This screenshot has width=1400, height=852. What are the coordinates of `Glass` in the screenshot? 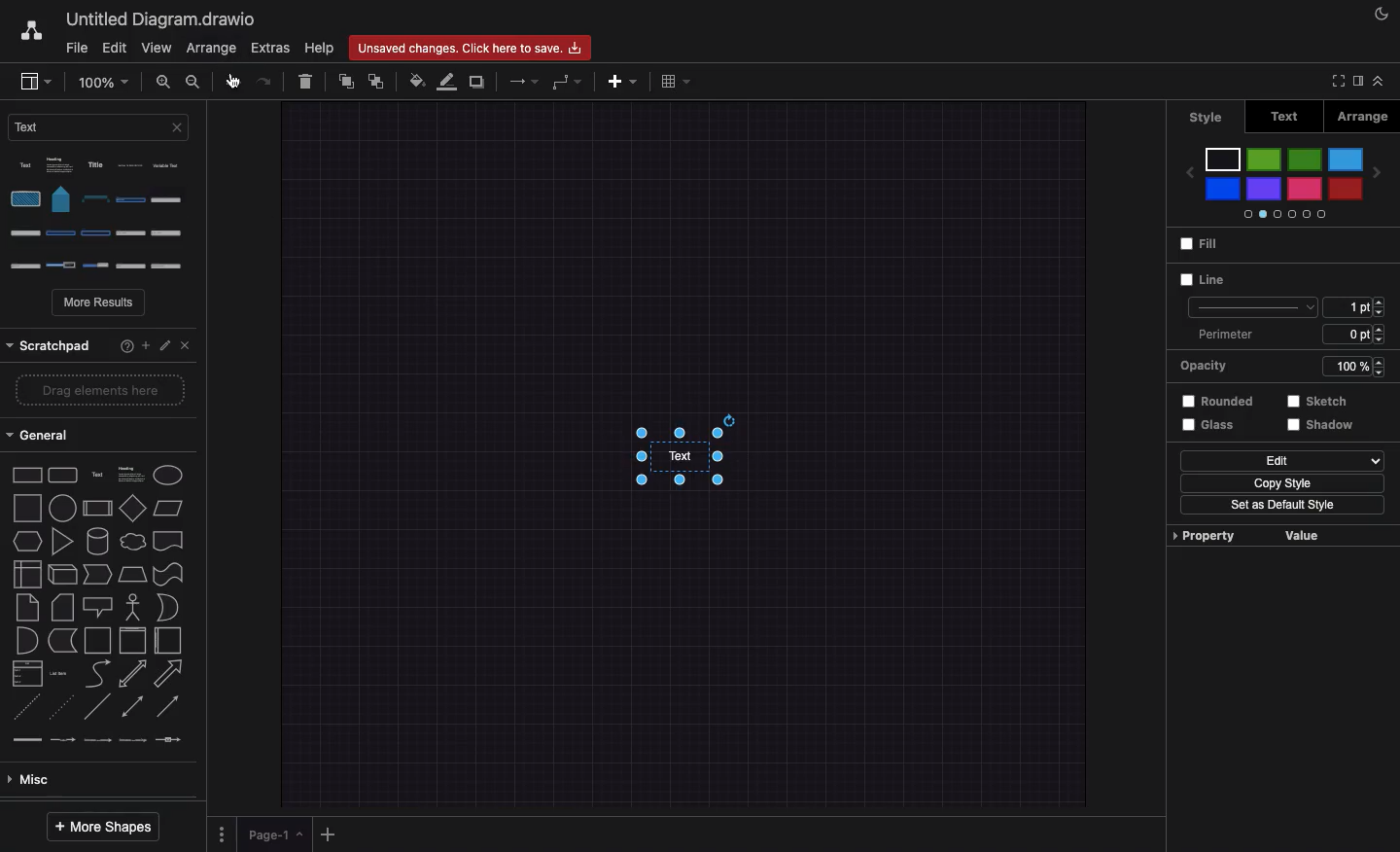 It's located at (1205, 424).